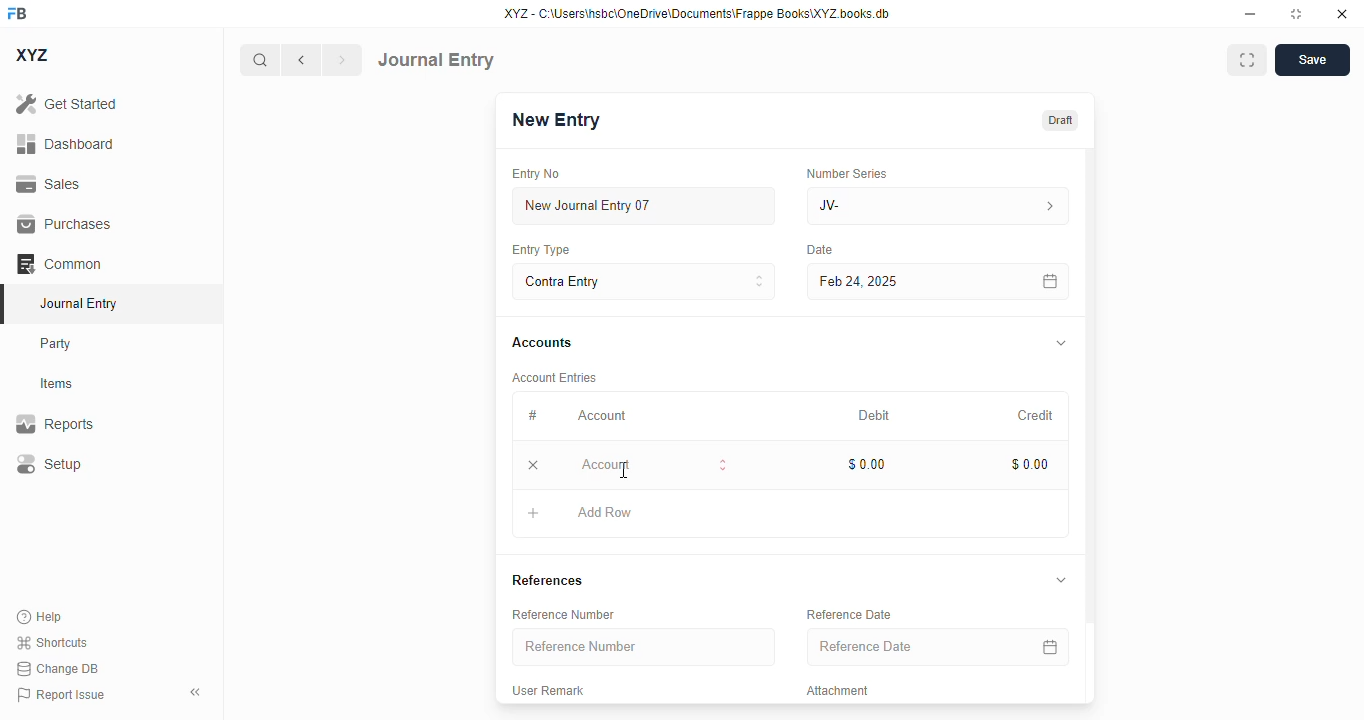  Describe the element at coordinates (938, 206) in the screenshot. I see `JV-` at that location.